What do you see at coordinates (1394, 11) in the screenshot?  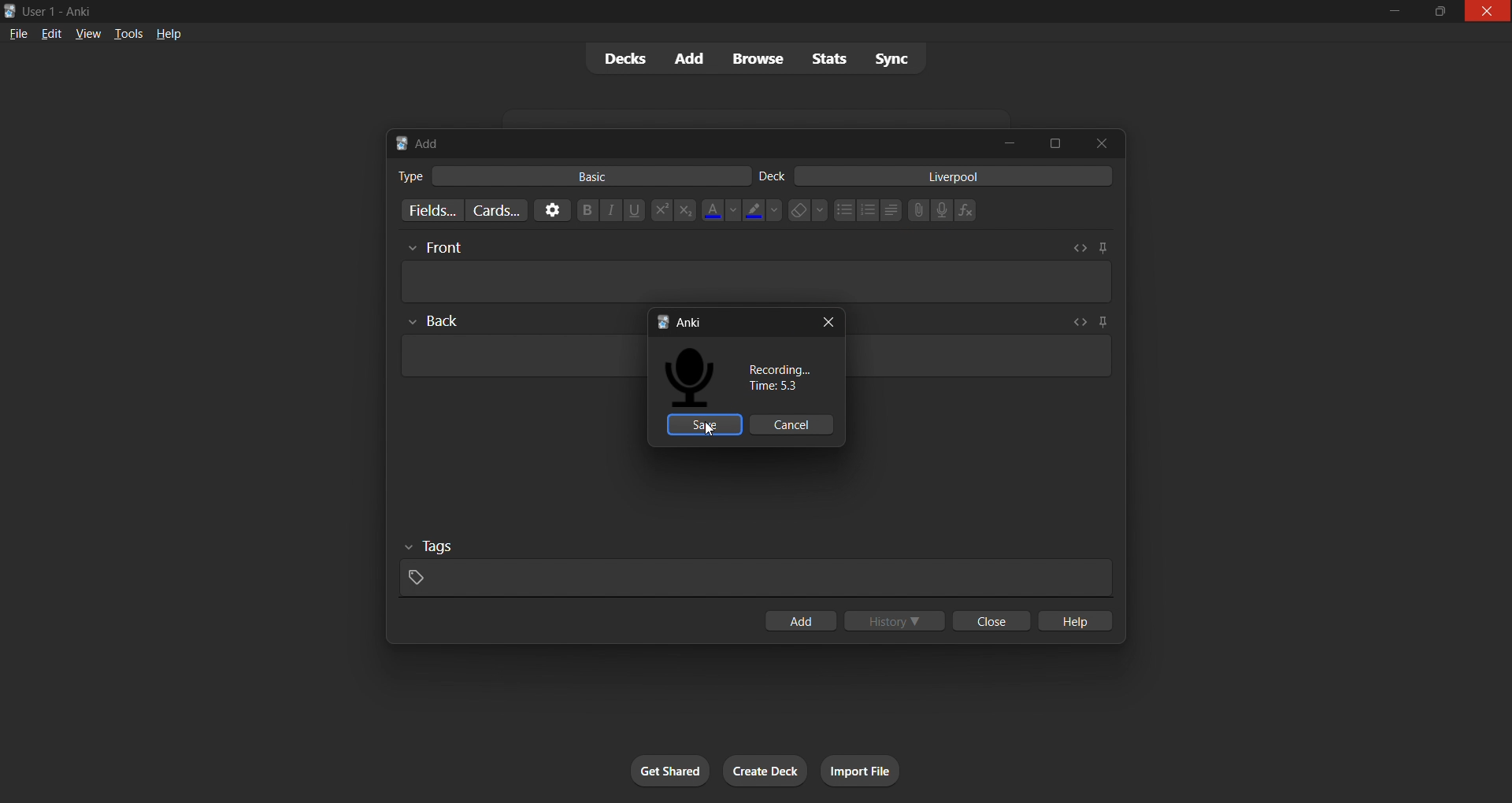 I see `minimize` at bounding box center [1394, 11].